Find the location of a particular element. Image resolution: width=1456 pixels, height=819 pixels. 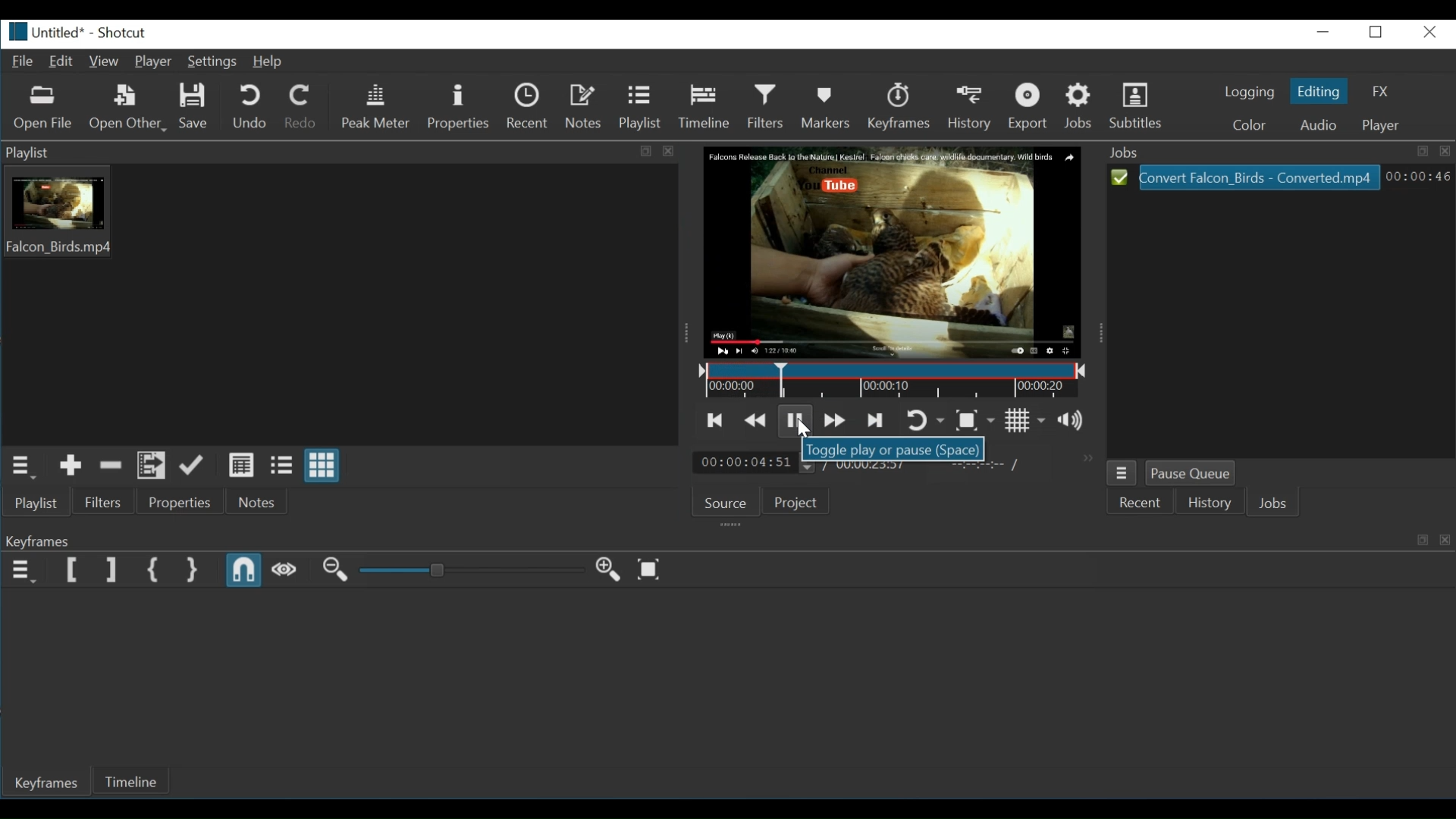

Set Filter End is located at coordinates (110, 570).